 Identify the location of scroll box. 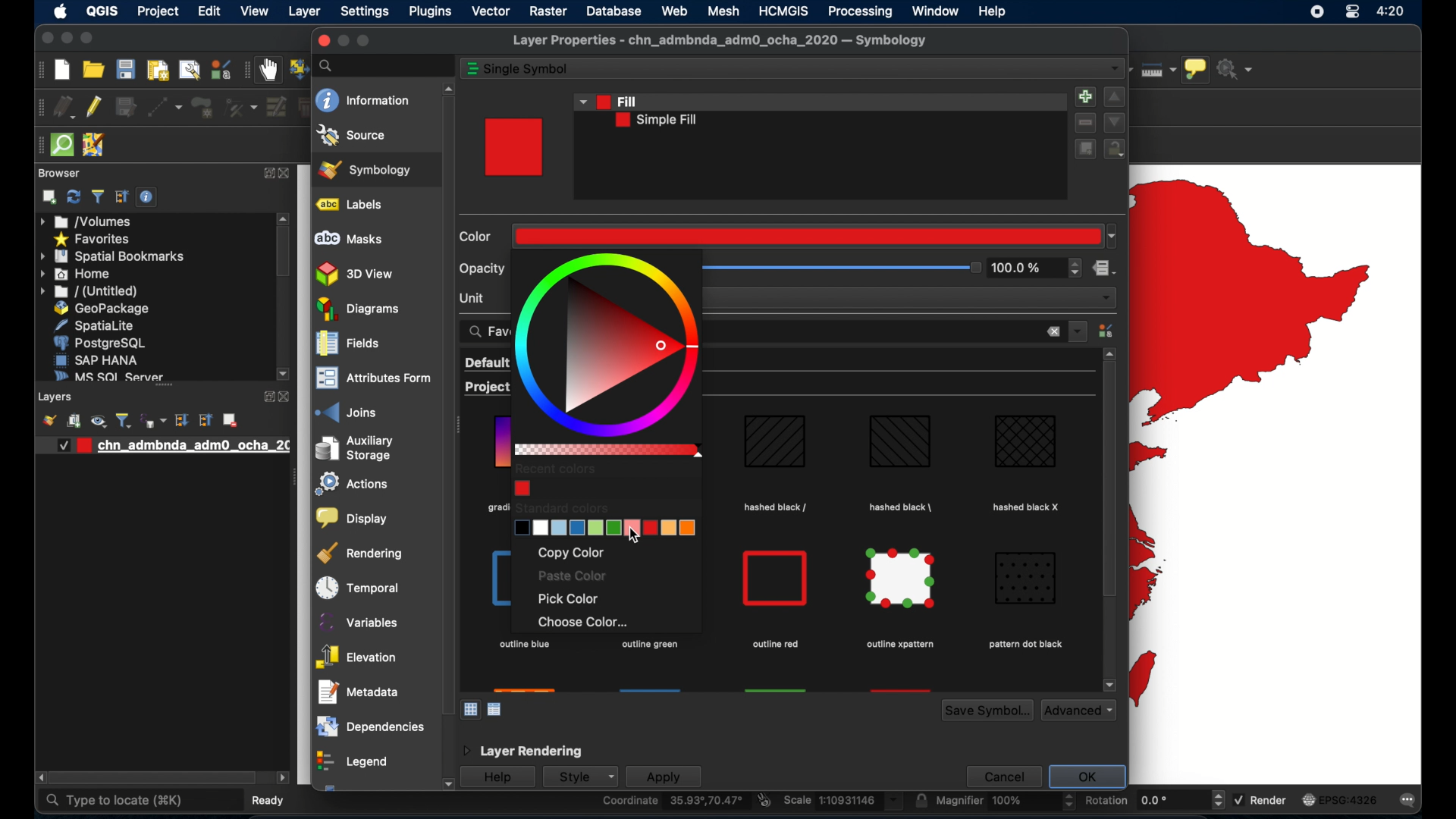
(1108, 483).